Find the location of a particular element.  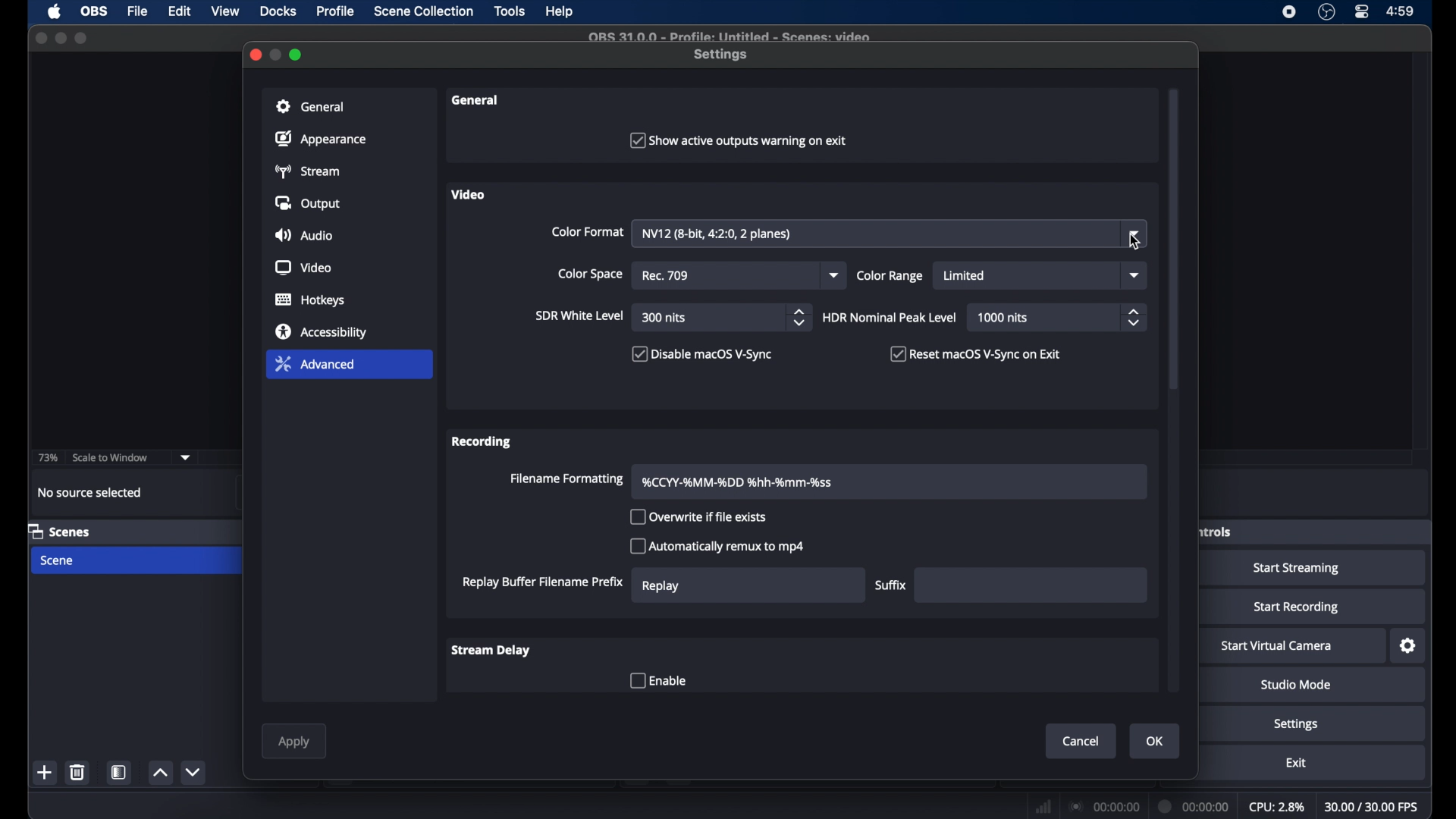

color space  is located at coordinates (591, 275).